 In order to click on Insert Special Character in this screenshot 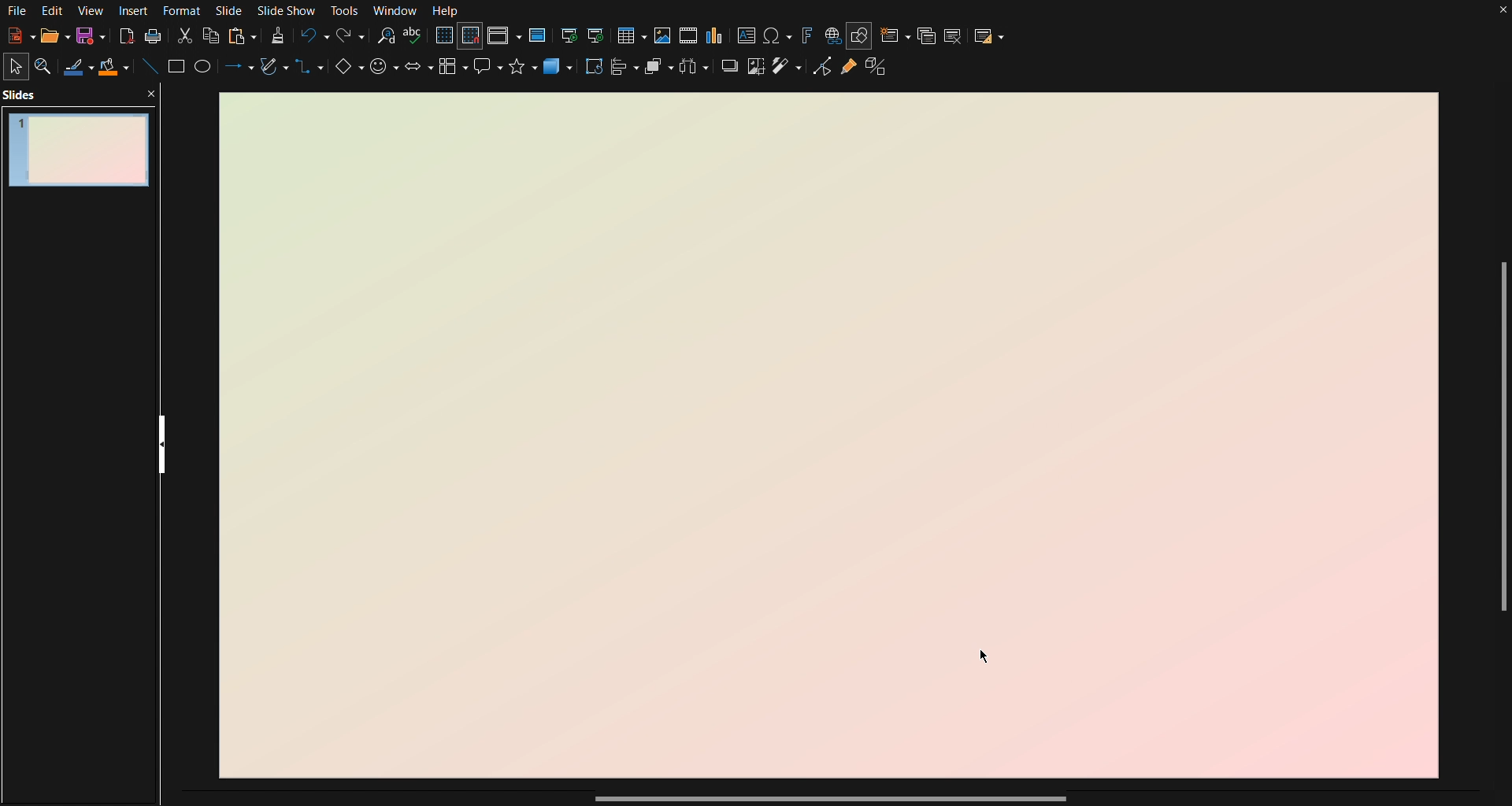, I will do `click(779, 35)`.